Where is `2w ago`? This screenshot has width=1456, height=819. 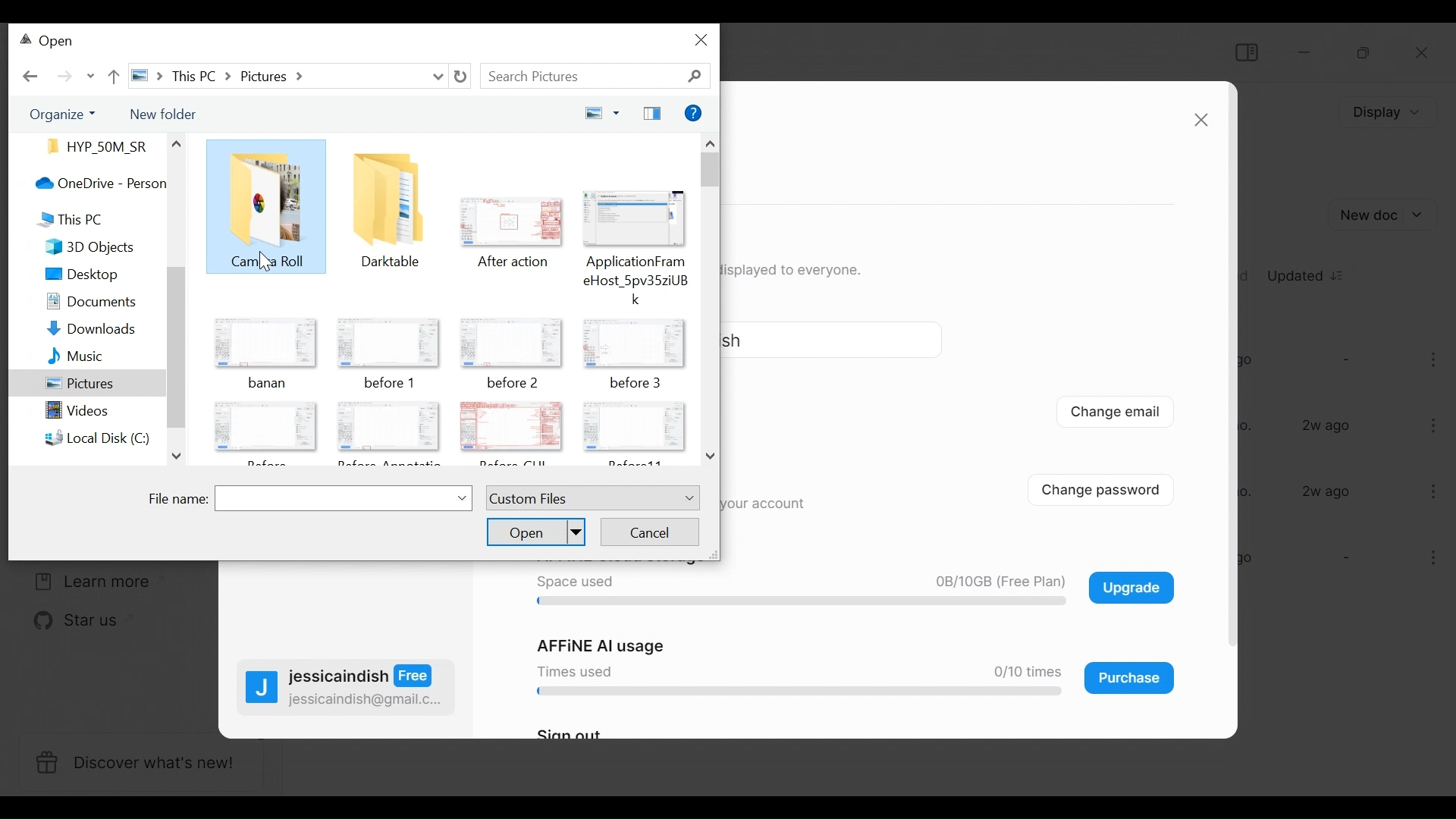
2w ago is located at coordinates (1329, 426).